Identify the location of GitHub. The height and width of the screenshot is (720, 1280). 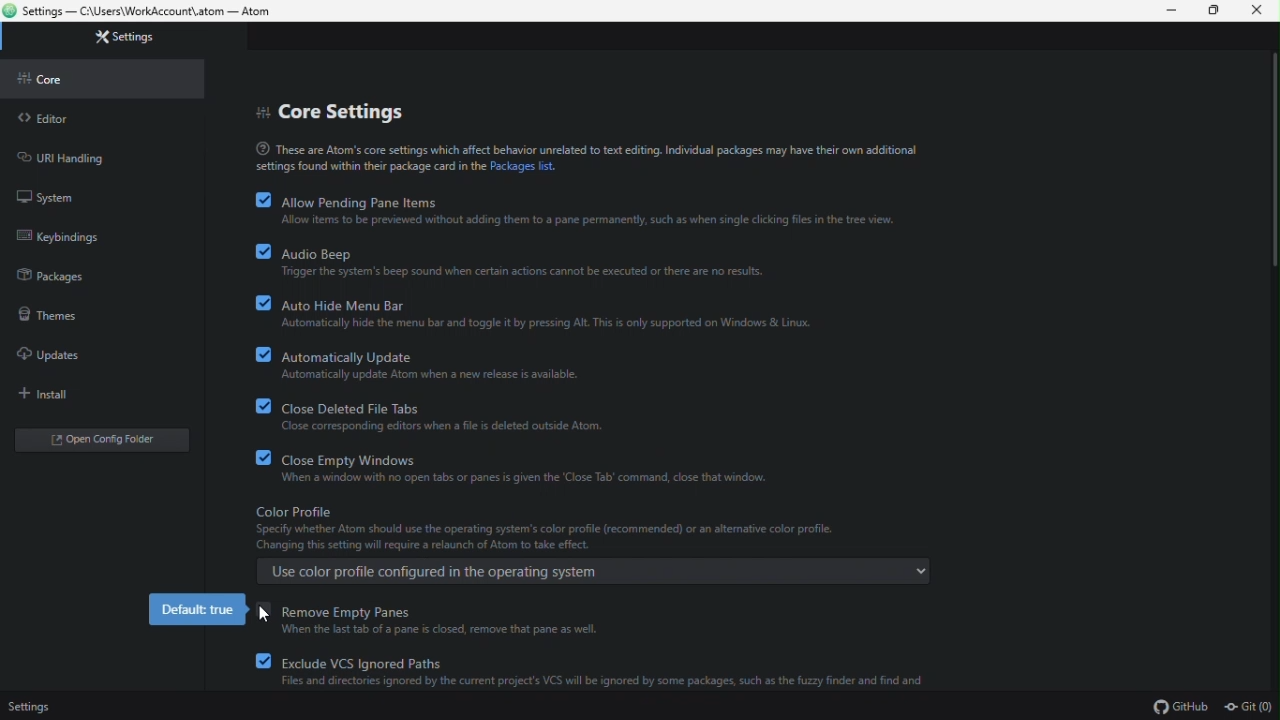
(1180, 708).